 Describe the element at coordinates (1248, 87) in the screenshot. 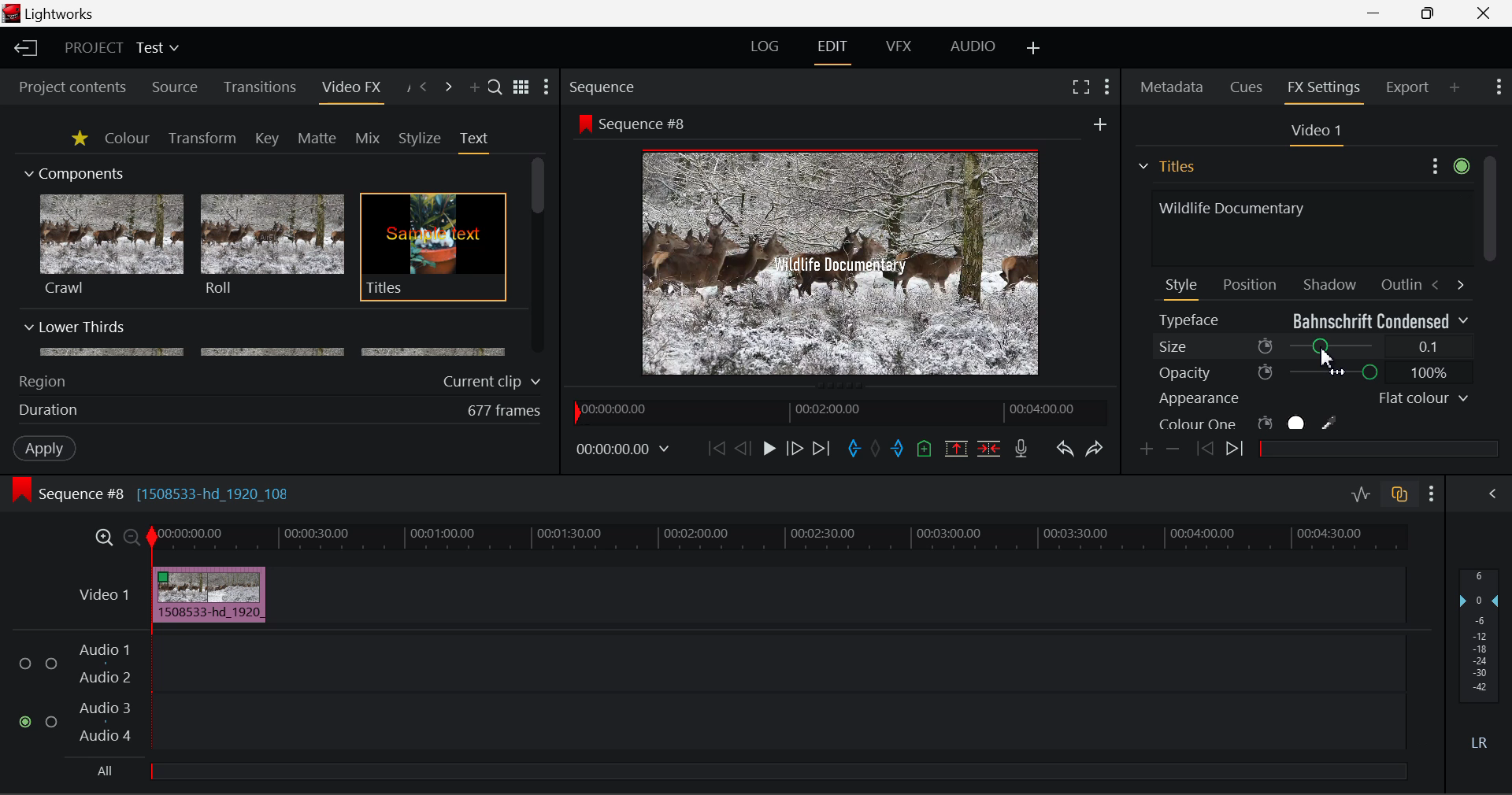

I see `Cues` at that location.